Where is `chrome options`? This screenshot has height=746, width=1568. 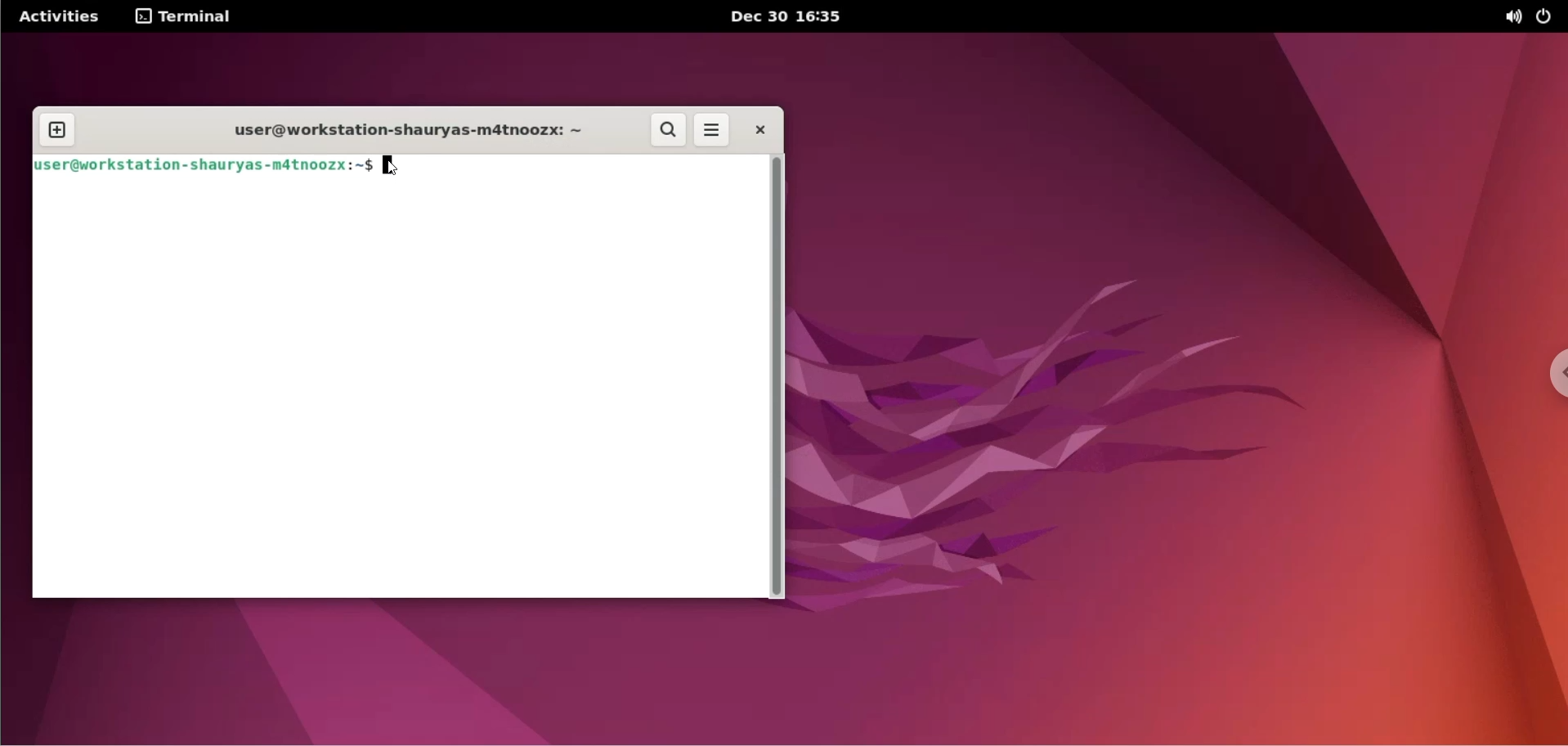
chrome options is located at coordinates (1550, 378).